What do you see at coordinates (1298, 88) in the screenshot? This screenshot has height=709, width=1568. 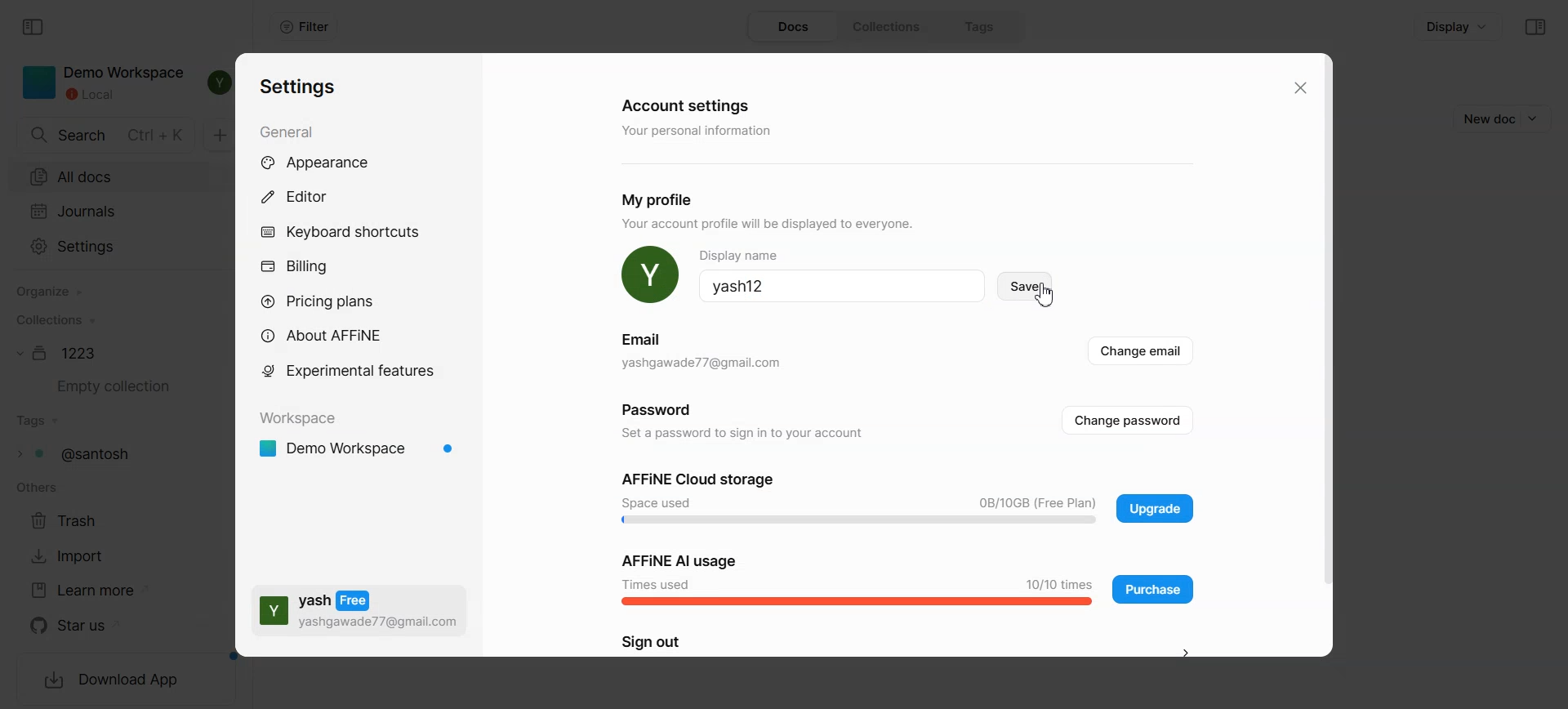 I see `Close` at bounding box center [1298, 88].